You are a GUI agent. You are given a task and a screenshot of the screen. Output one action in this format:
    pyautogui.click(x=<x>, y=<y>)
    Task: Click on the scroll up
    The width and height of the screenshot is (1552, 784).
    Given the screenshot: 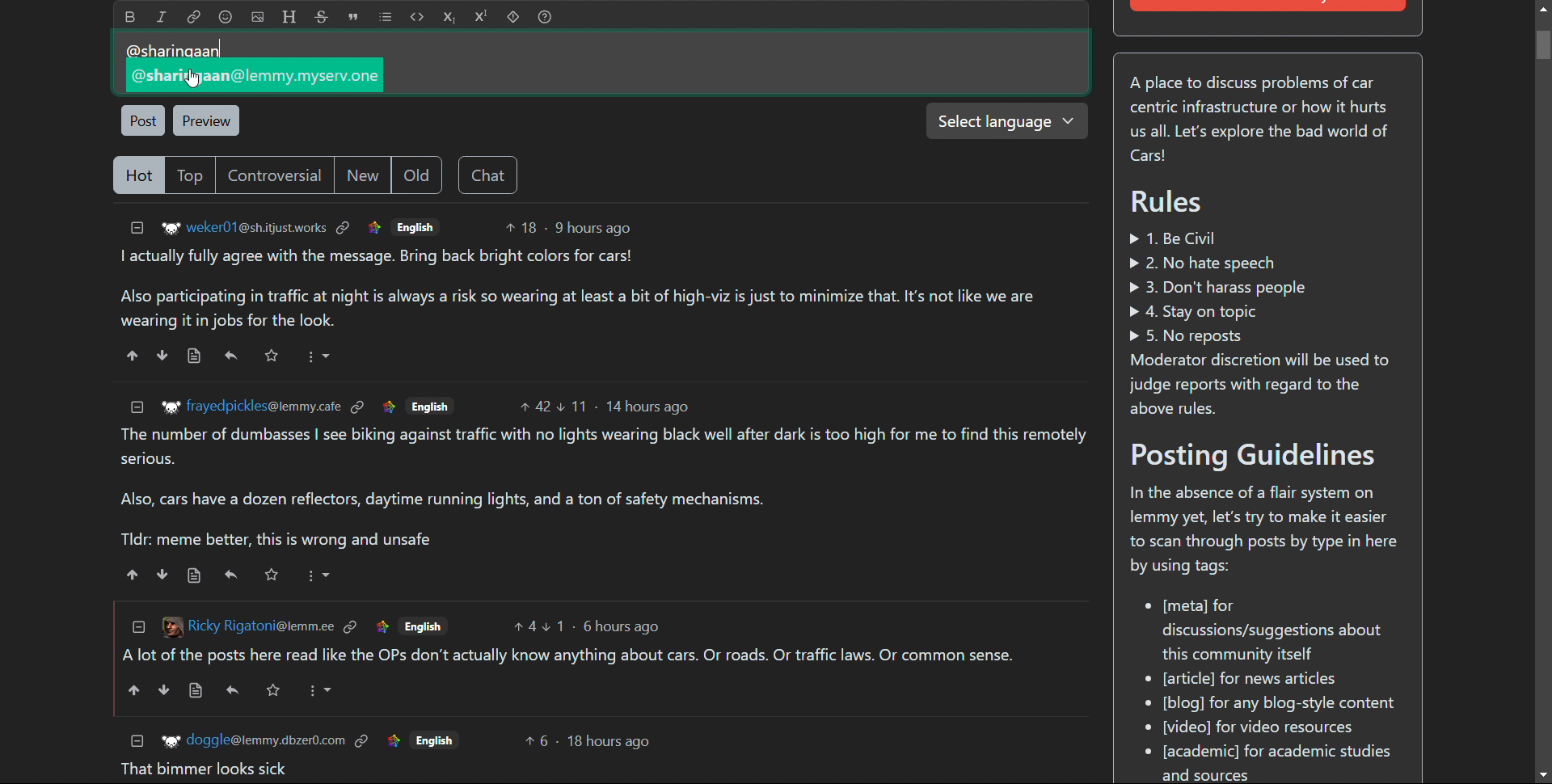 What is the action you would take?
    pyautogui.click(x=1541, y=8)
    